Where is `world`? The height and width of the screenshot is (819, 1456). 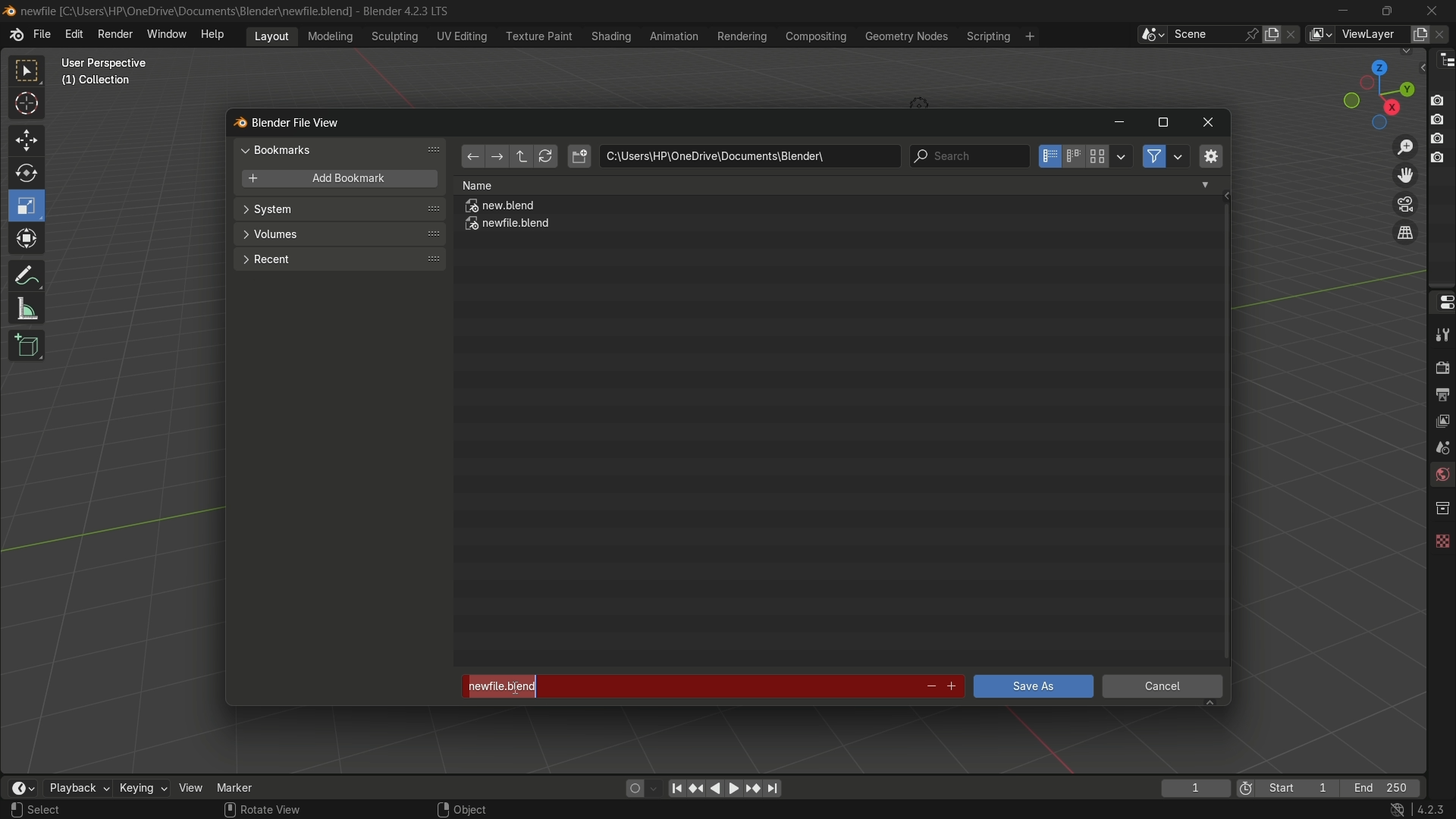
world is located at coordinates (1441, 476).